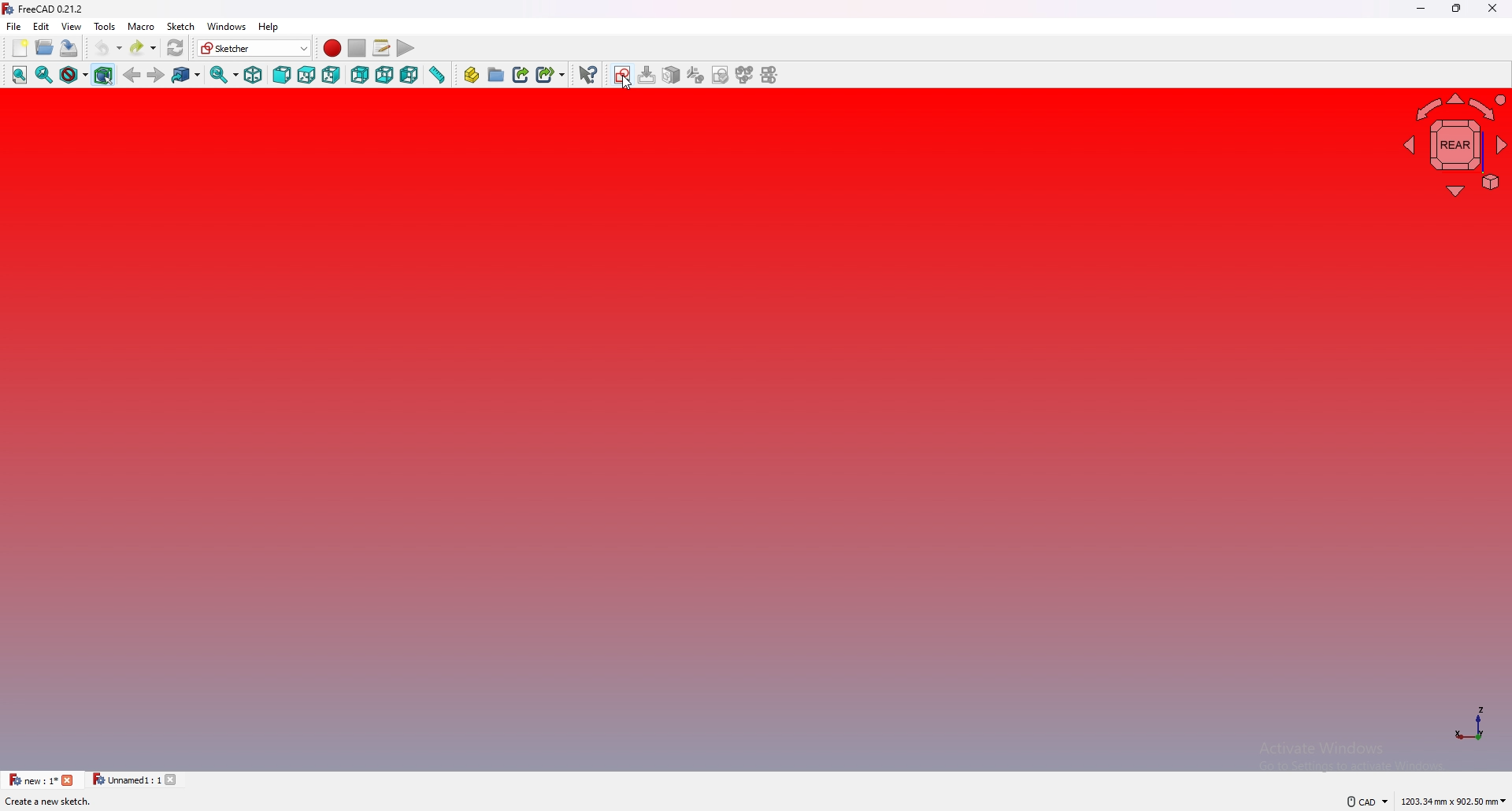 The height and width of the screenshot is (811, 1512). Describe the element at coordinates (522, 74) in the screenshot. I see `create link` at that location.